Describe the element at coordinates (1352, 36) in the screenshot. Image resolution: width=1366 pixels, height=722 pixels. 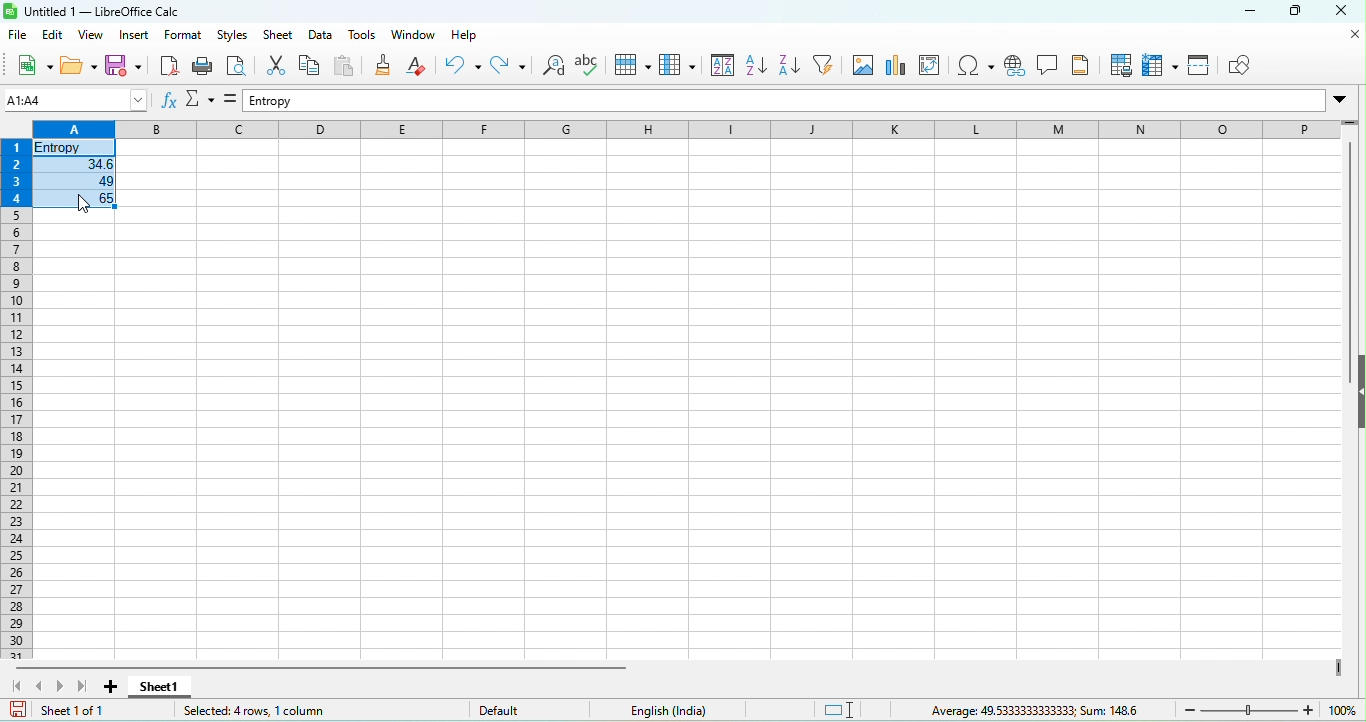
I see `close` at that location.